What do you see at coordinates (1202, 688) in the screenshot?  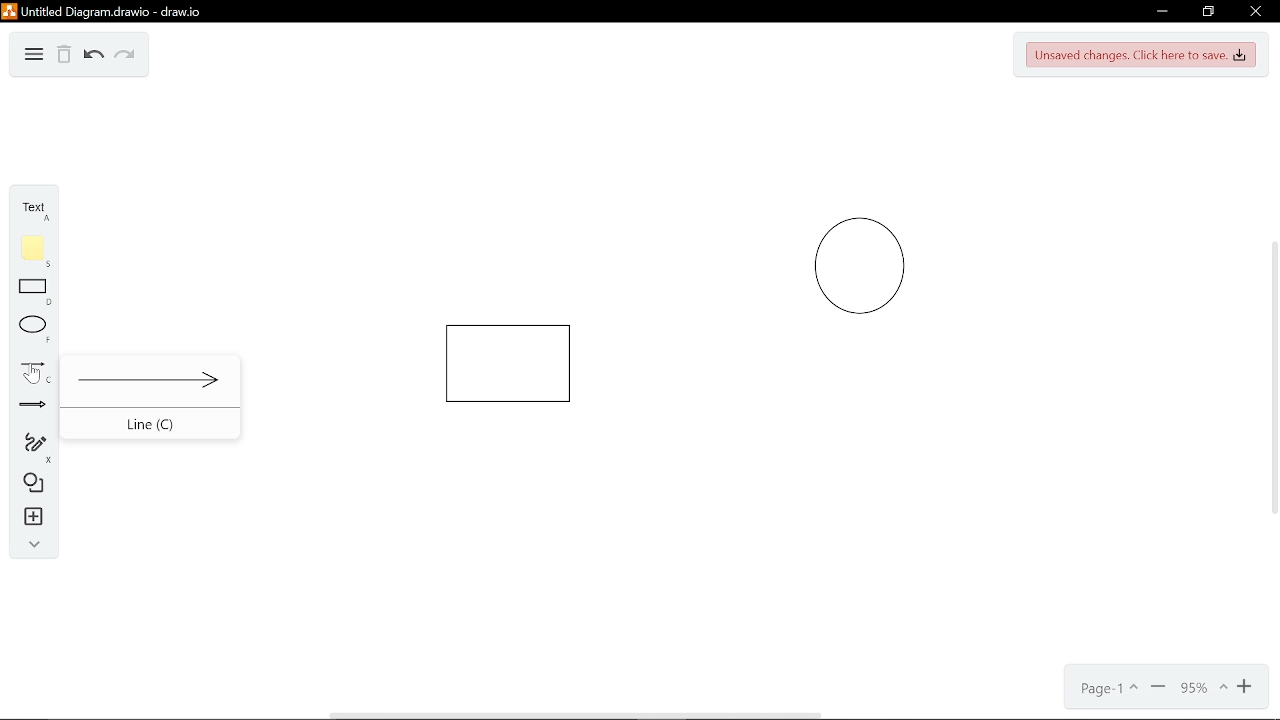 I see `Current zoom` at bounding box center [1202, 688].